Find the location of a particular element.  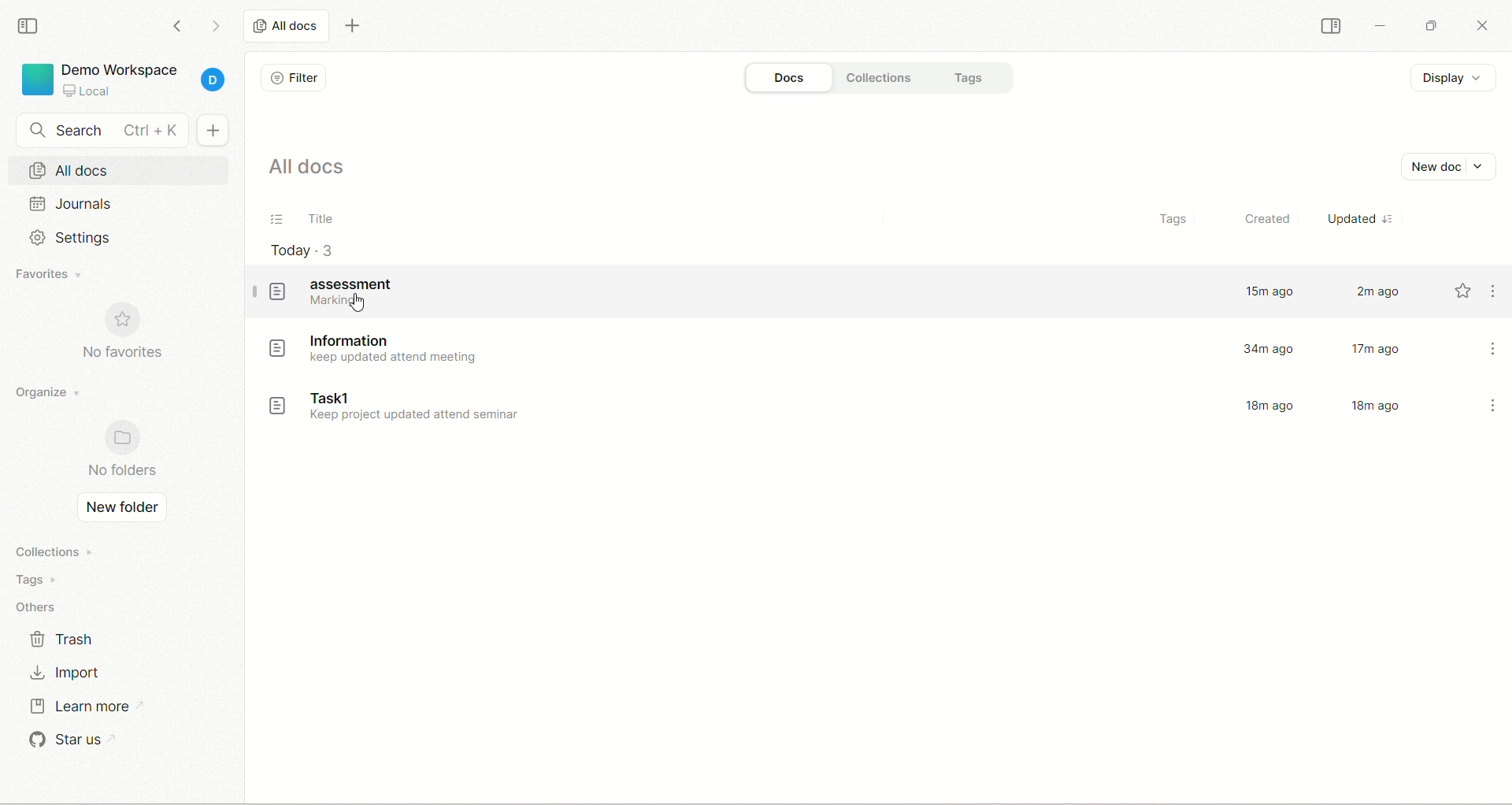

learn more is located at coordinates (83, 707).